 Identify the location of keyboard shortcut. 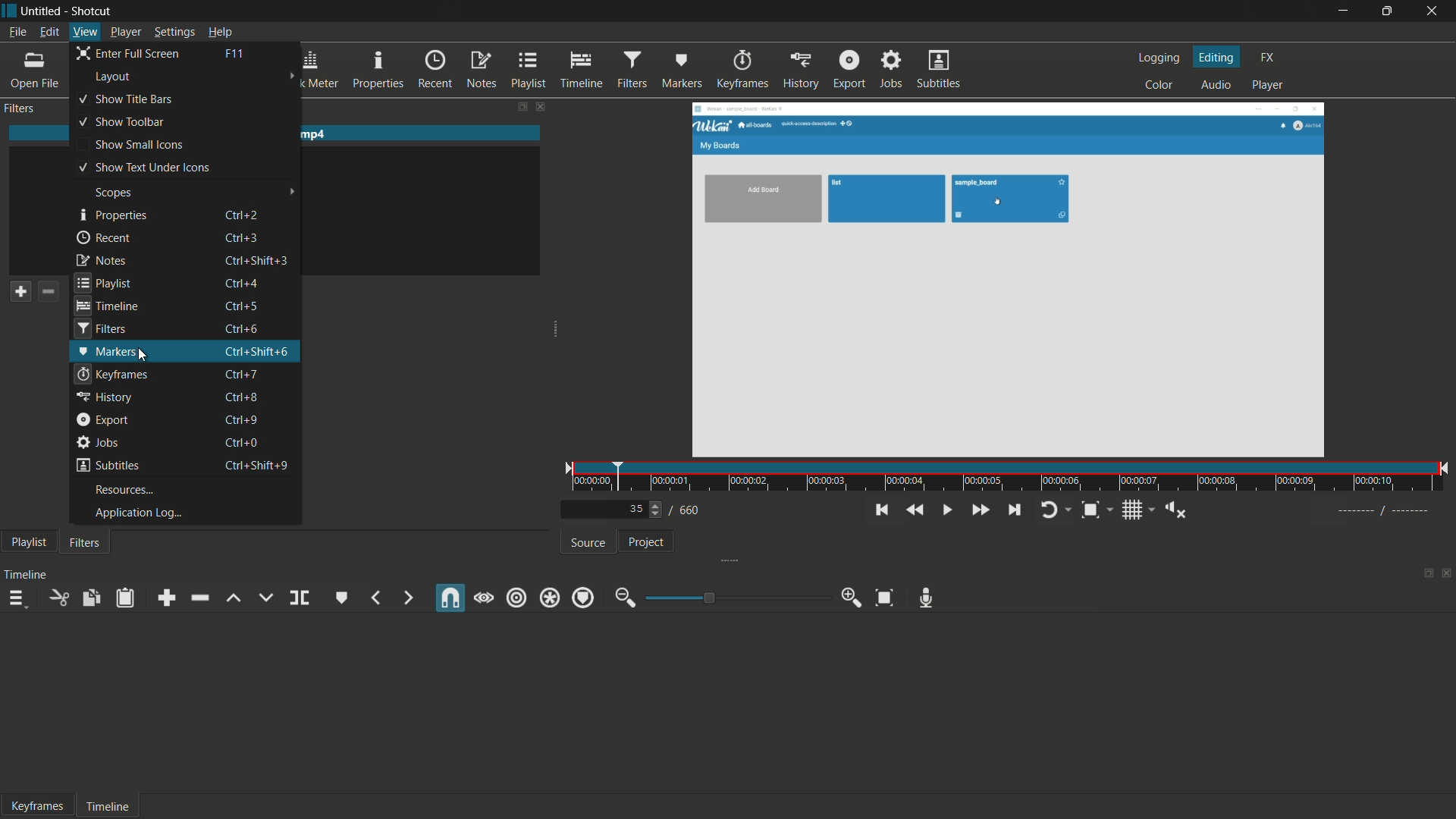
(242, 282).